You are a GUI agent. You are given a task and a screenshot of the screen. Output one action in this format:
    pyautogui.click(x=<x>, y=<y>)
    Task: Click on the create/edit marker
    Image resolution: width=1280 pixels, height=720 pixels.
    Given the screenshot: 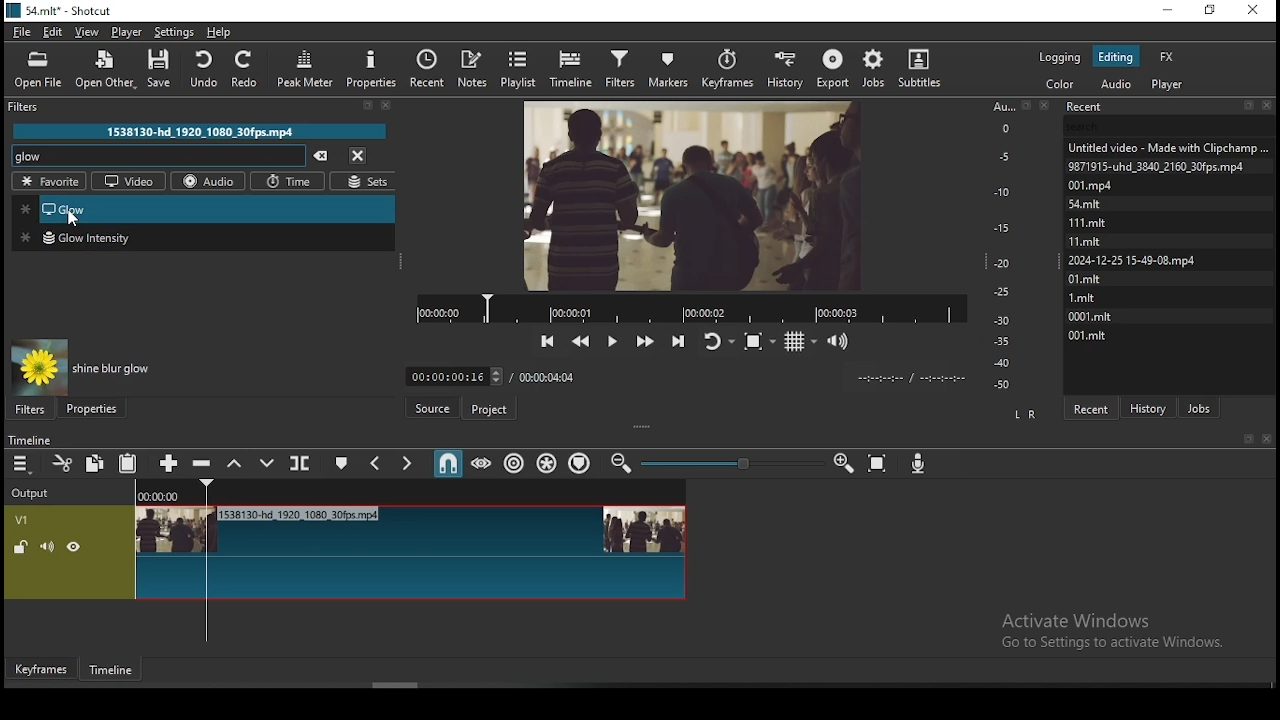 What is the action you would take?
    pyautogui.click(x=339, y=466)
    